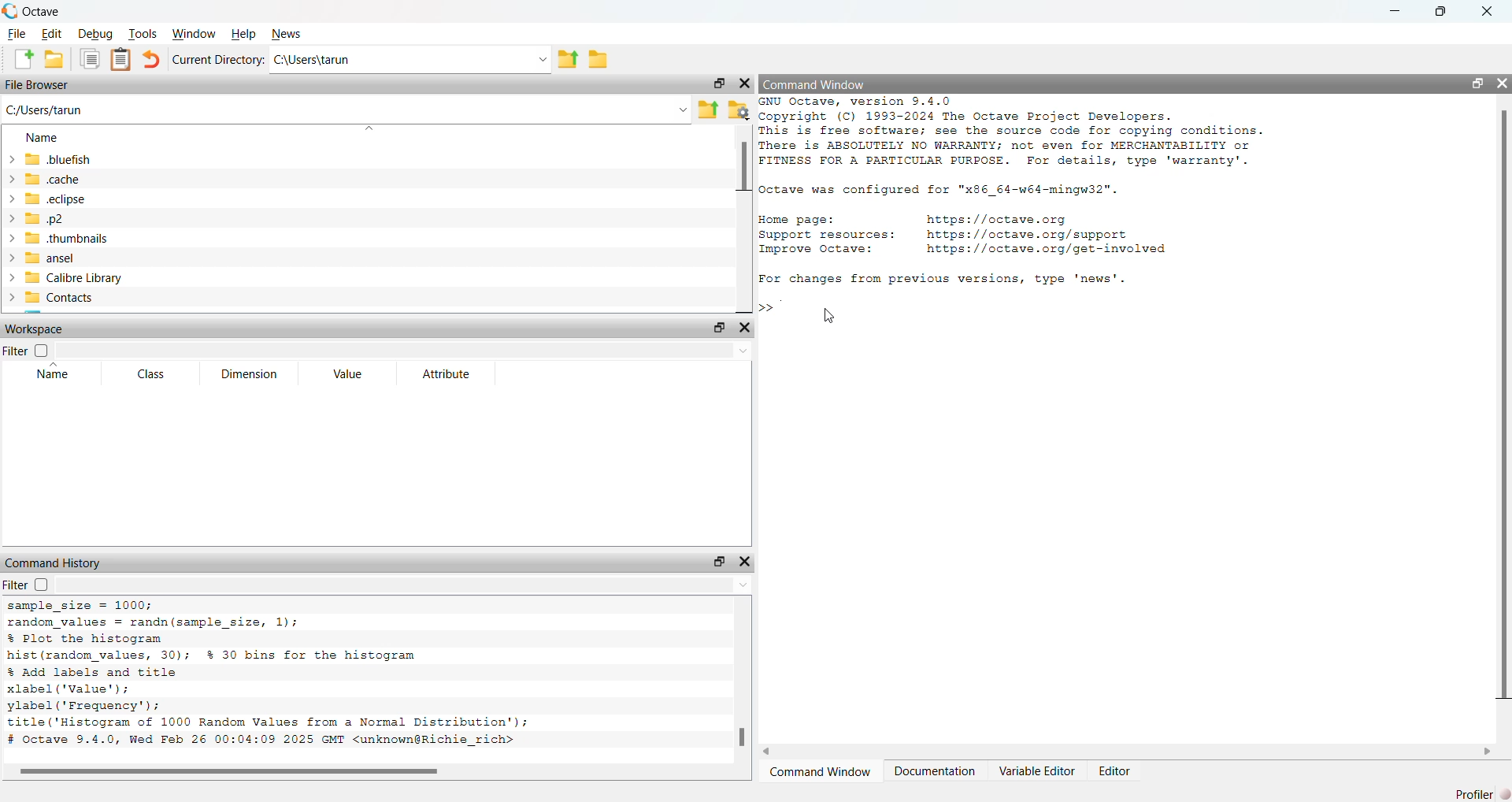  What do you see at coordinates (246, 35) in the screenshot?
I see `Help` at bounding box center [246, 35].